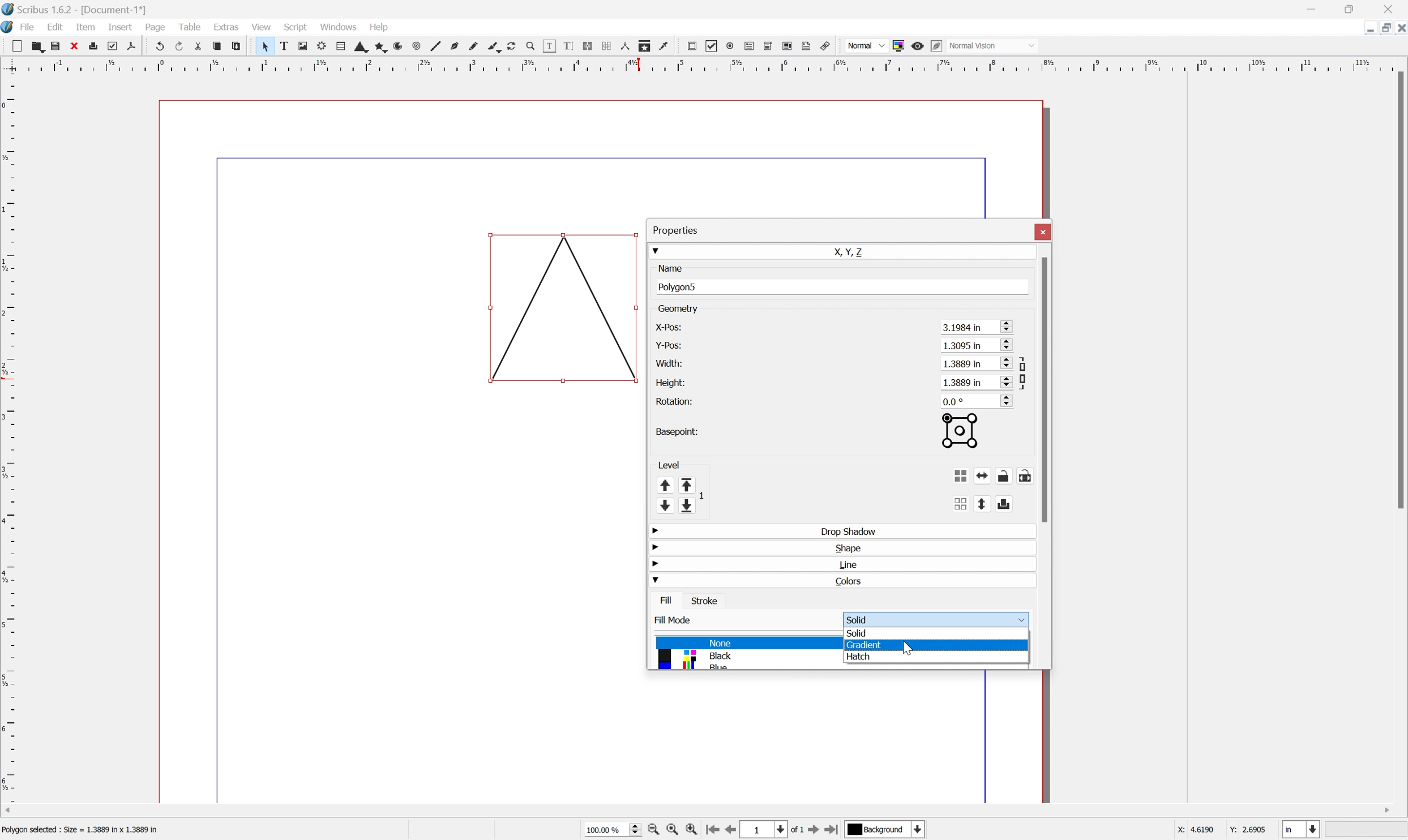 The height and width of the screenshot is (840, 1408). What do you see at coordinates (691, 830) in the screenshot?
I see `Zoom in by stepping values in Tools preferences` at bounding box center [691, 830].